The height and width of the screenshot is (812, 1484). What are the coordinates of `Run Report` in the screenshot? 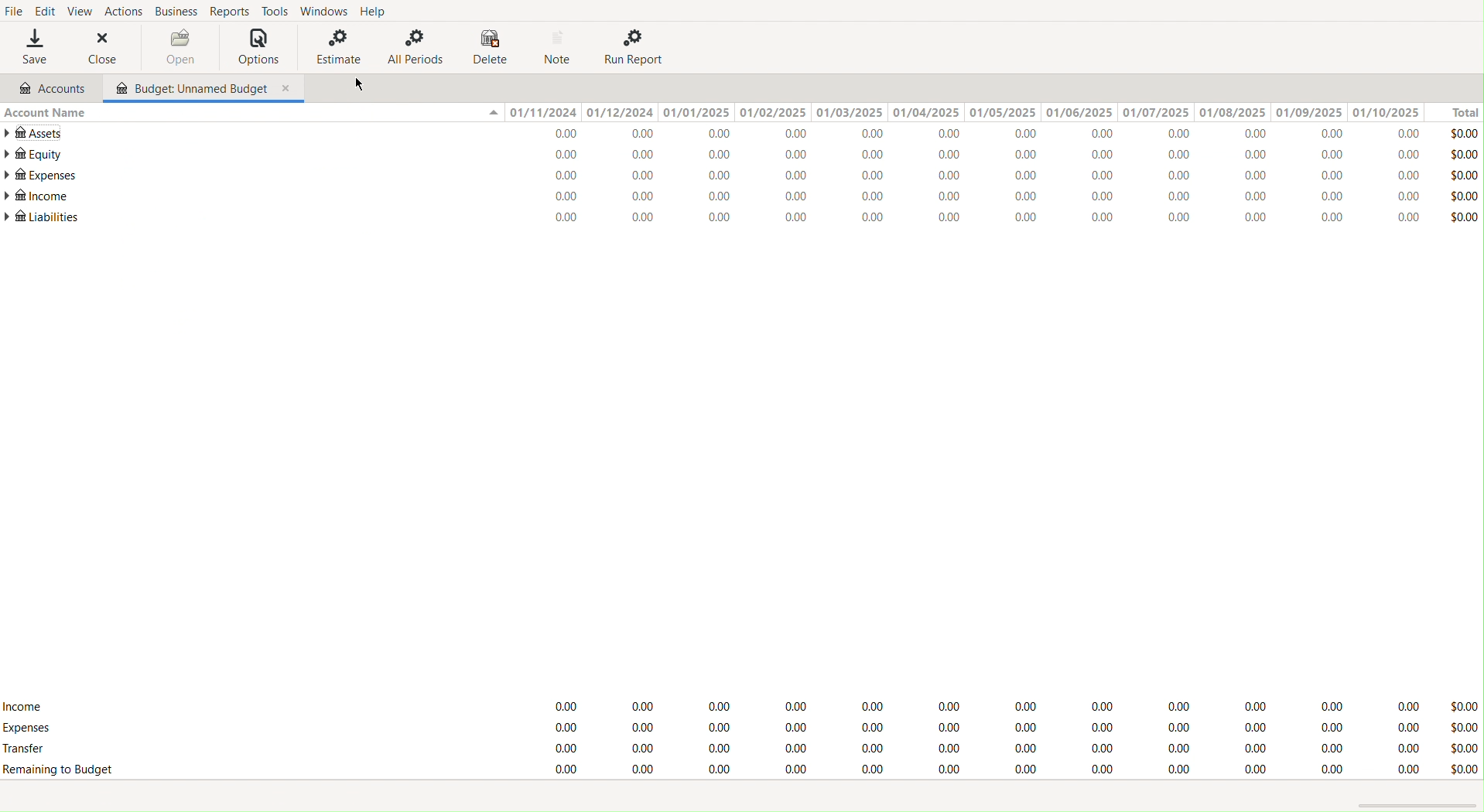 It's located at (634, 48).